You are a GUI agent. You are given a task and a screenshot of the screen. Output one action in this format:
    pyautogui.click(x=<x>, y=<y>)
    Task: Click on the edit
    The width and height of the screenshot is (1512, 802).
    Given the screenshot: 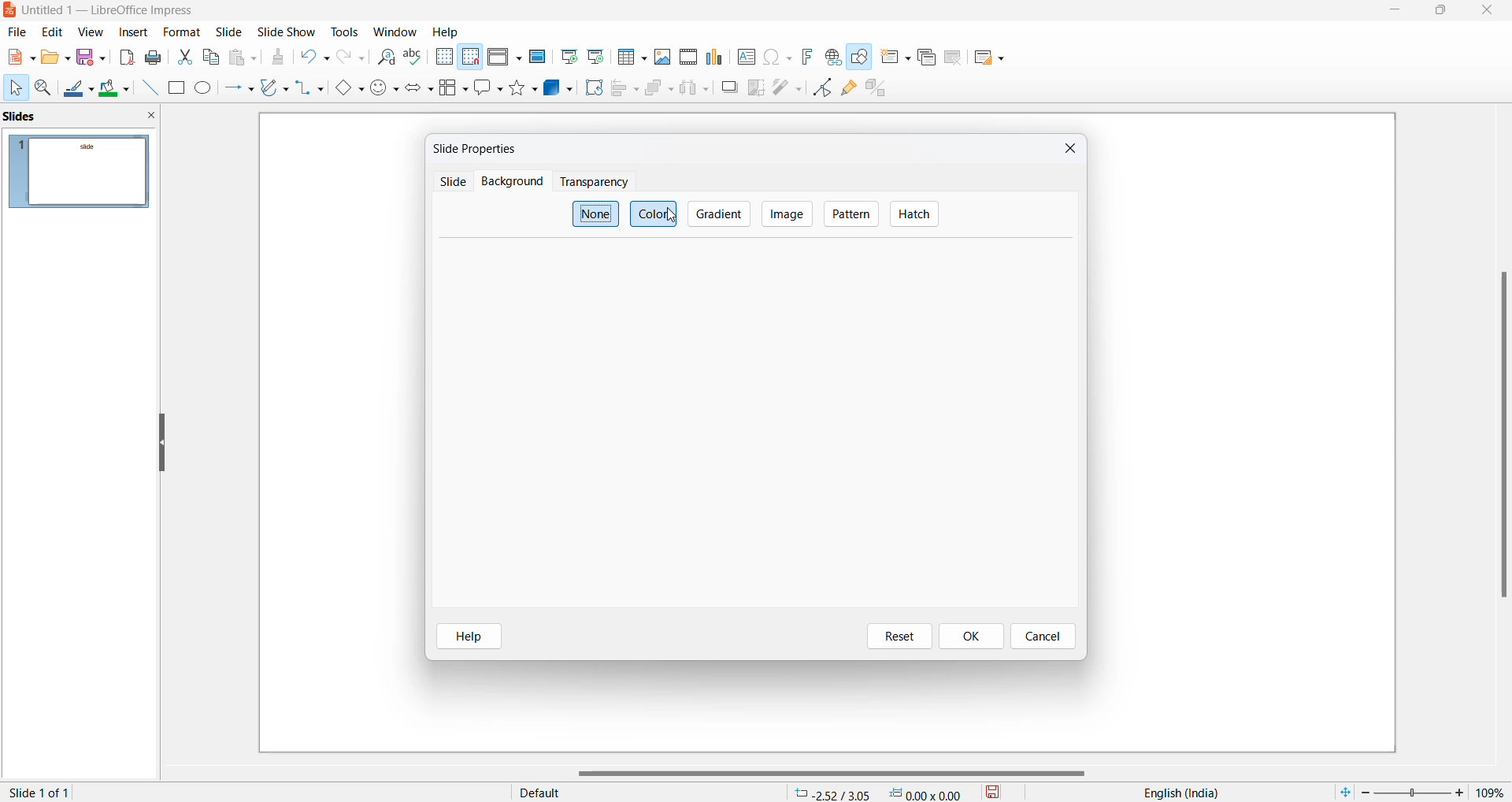 What is the action you would take?
    pyautogui.click(x=54, y=32)
    